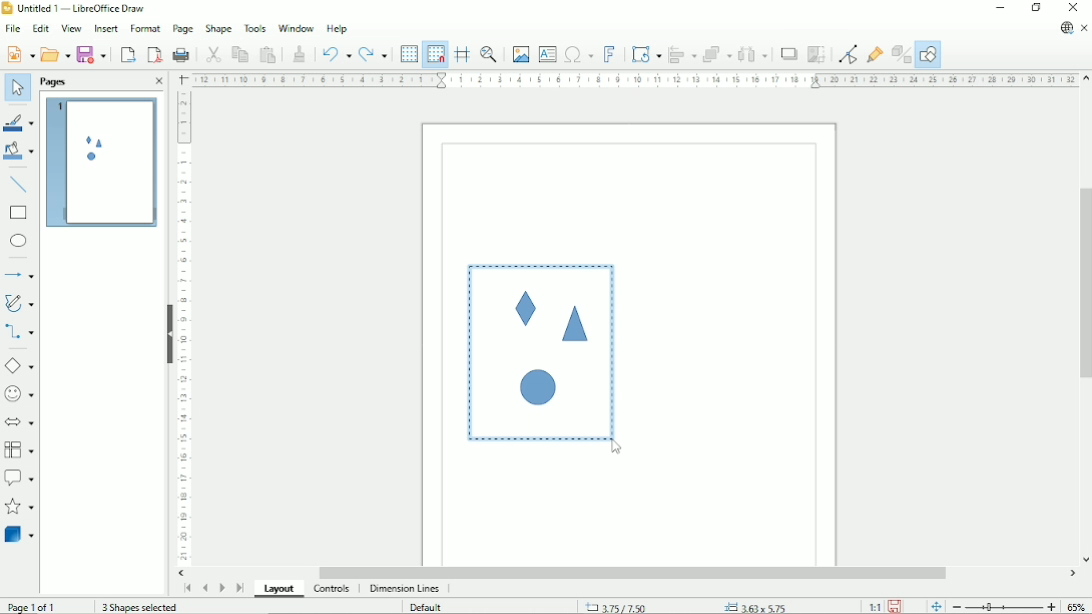 The width and height of the screenshot is (1092, 614). I want to click on Paste, so click(268, 53).